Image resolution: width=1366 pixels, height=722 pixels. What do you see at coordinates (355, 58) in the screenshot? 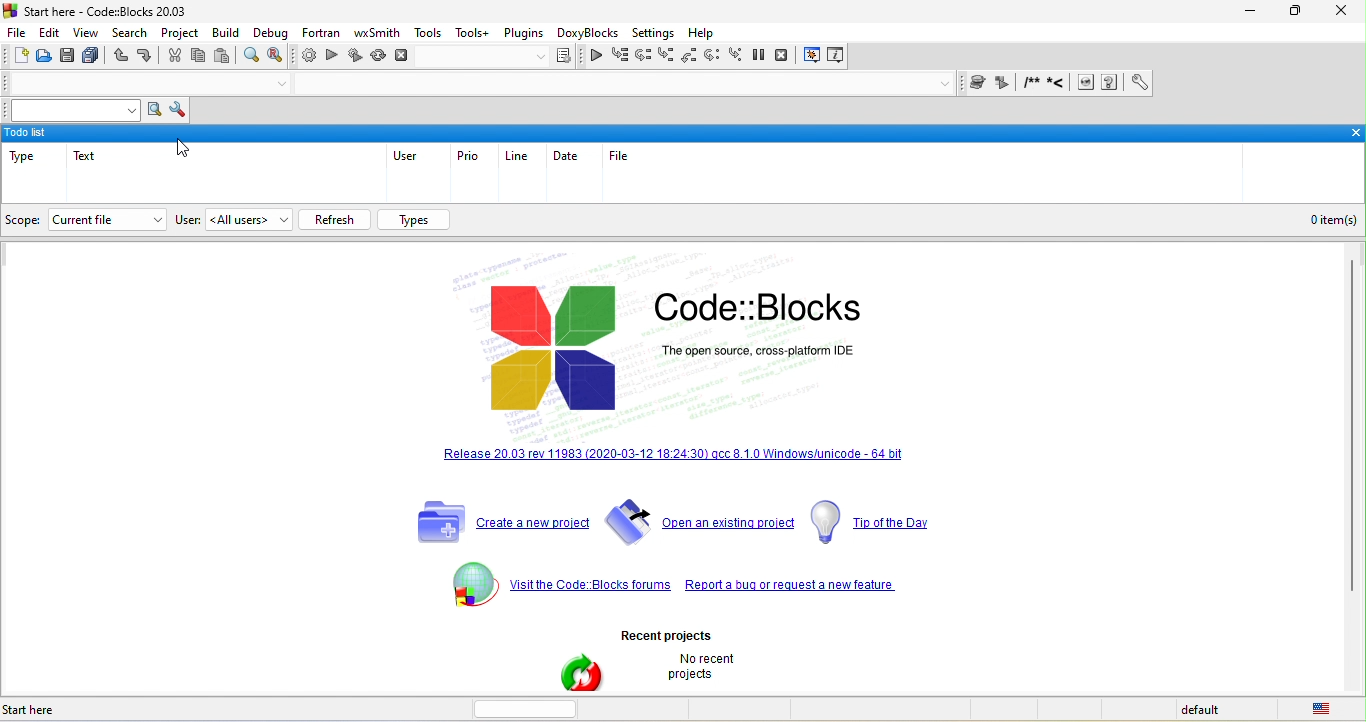
I see `build and run` at bounding box center [355, 58].